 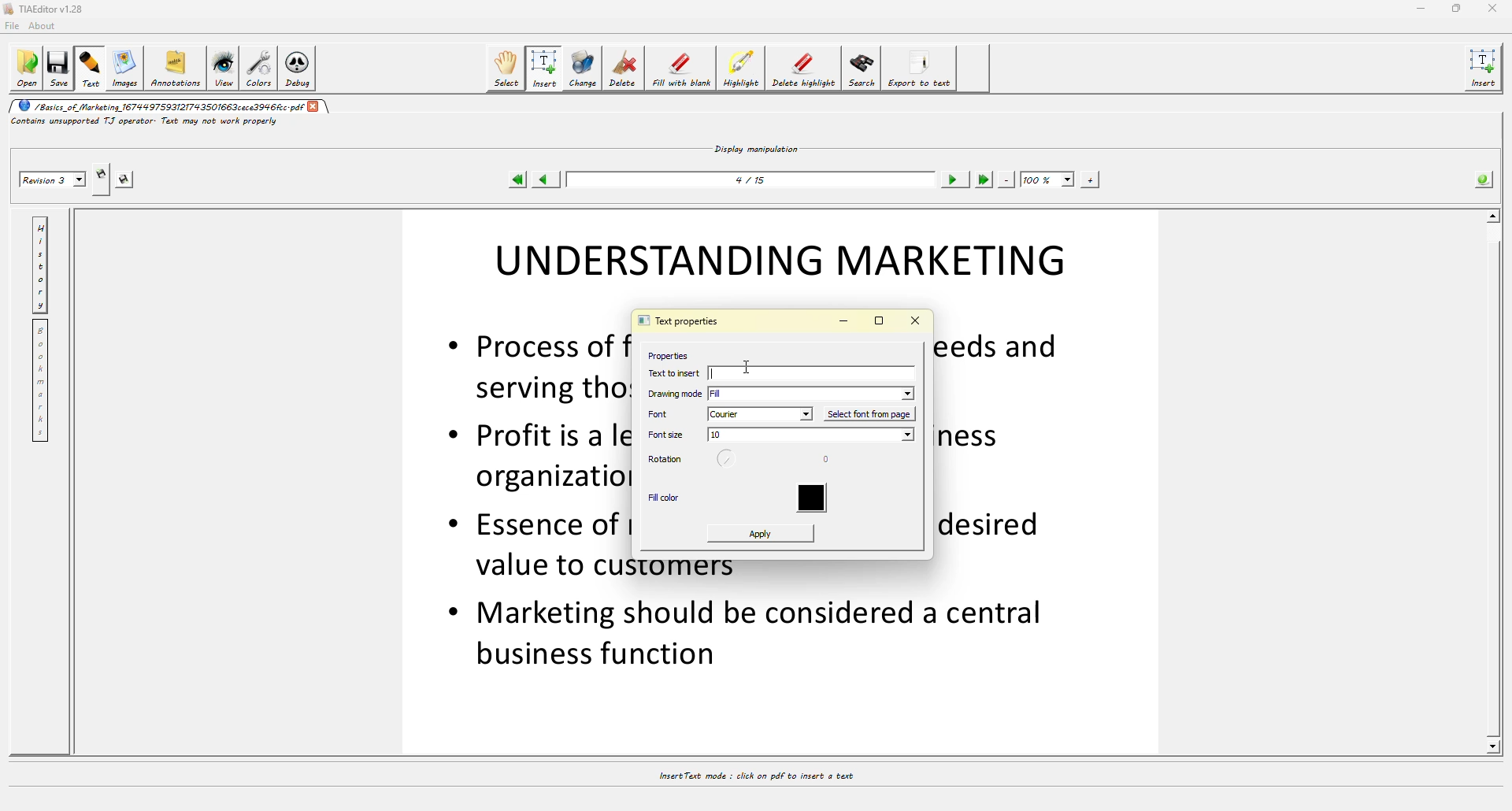 What do you see at coordinates (547, 68) in the screenshot?
I see `insert` at bounding box center [547, 68].